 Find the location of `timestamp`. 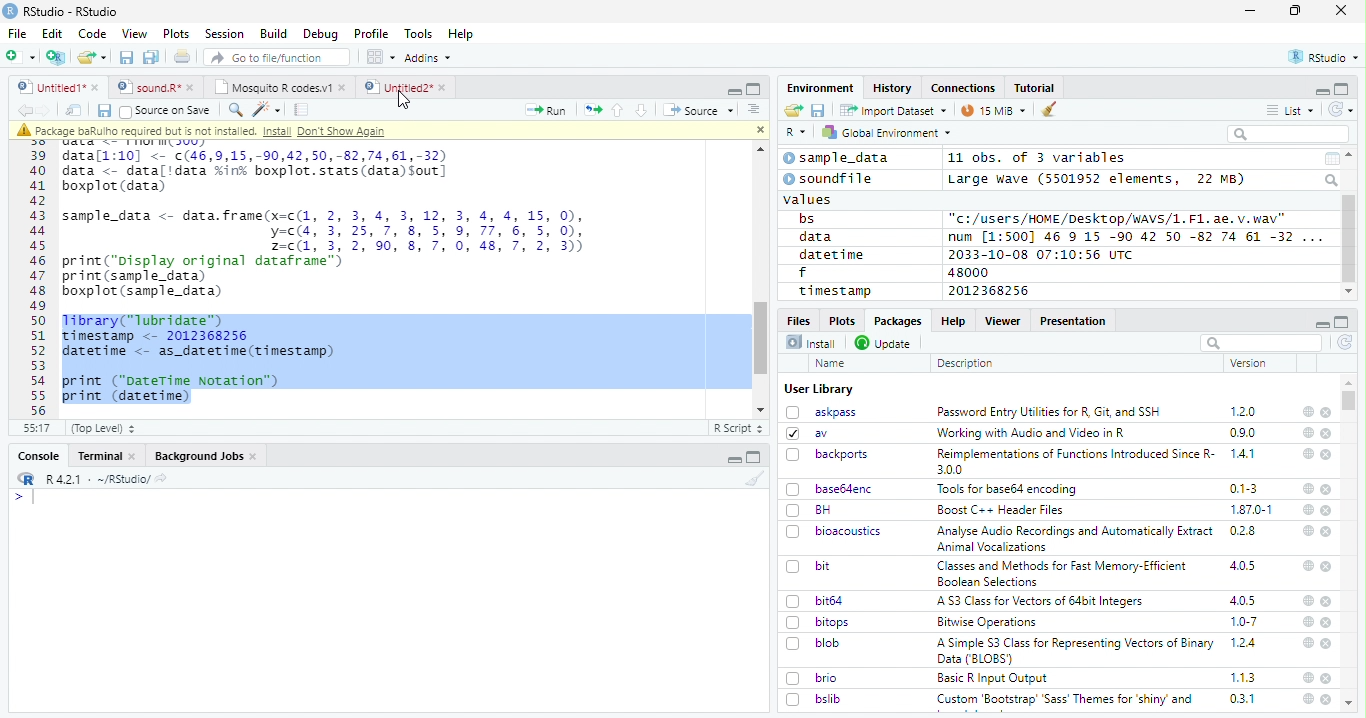

timestamp is located at coordinates (834, 290).